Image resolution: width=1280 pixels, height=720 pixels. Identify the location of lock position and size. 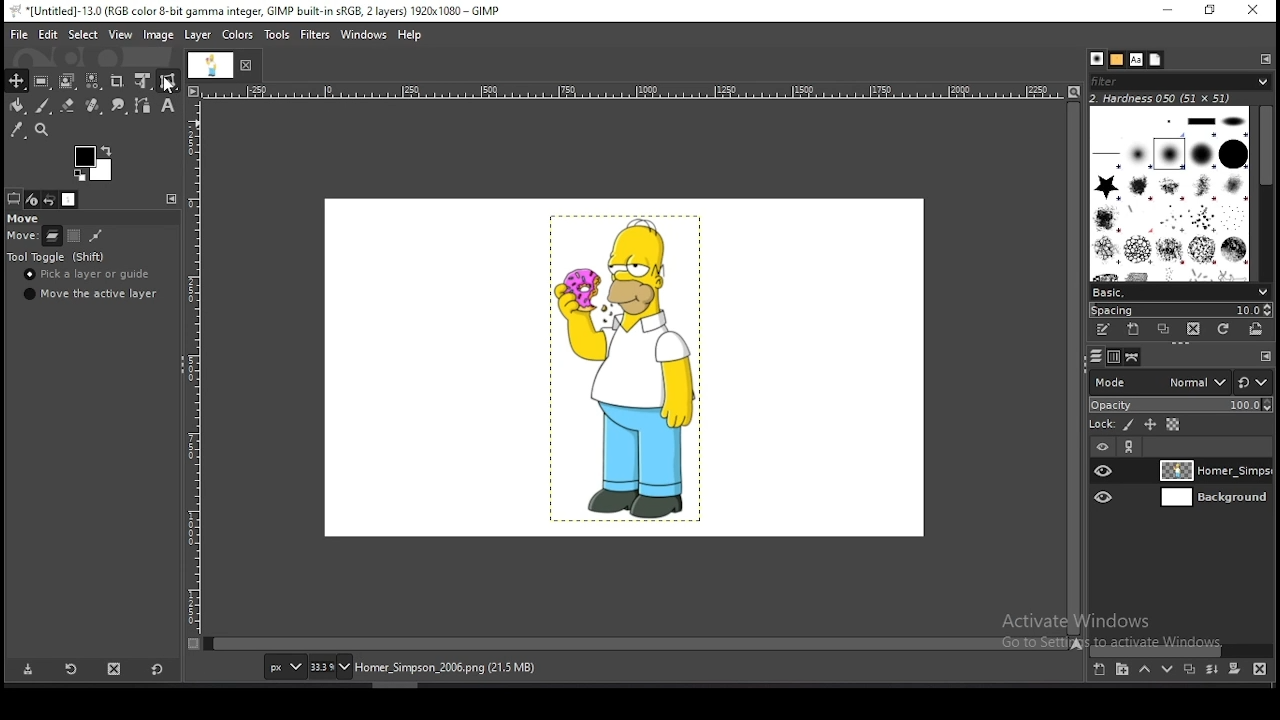
(1149, 425).